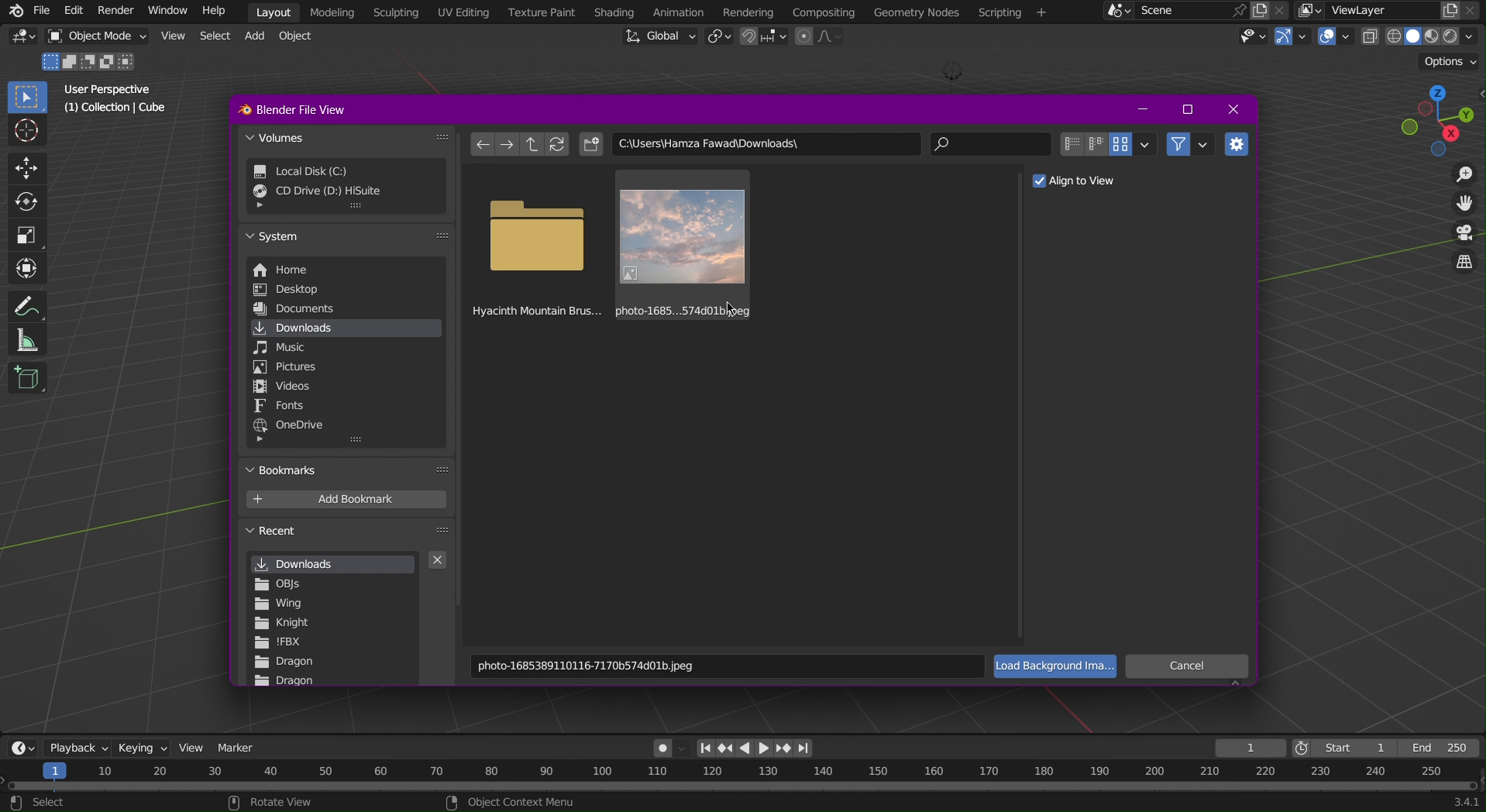 This screenshot has height=812, width=1486. Describe the element at coordinates (824, 37) in the screenshot. I see `Proportional Editing` at that location.